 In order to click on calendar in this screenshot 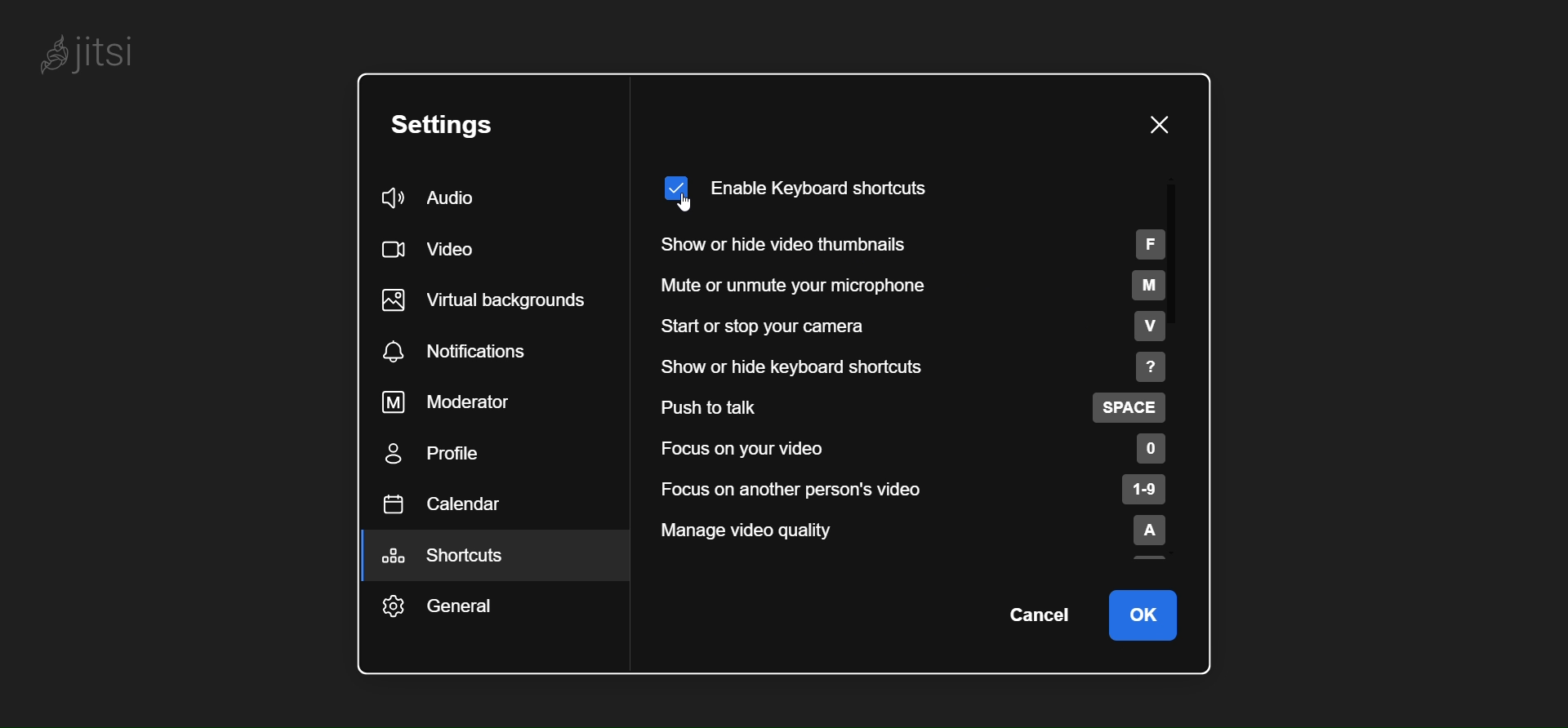, I will do `click(465, 505)`.